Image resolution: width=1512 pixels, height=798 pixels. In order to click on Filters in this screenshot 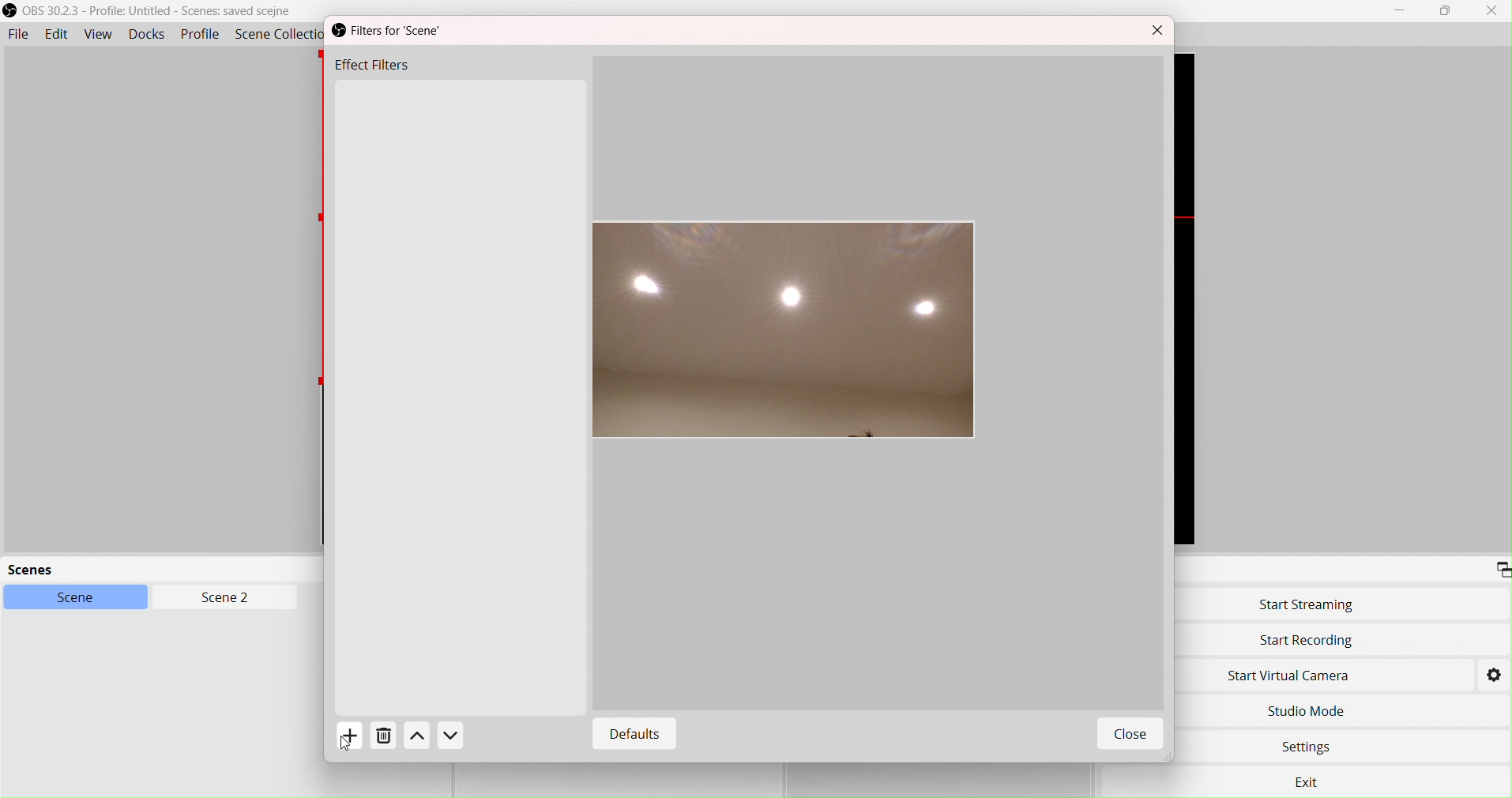, I will do `click(401, 31)`.